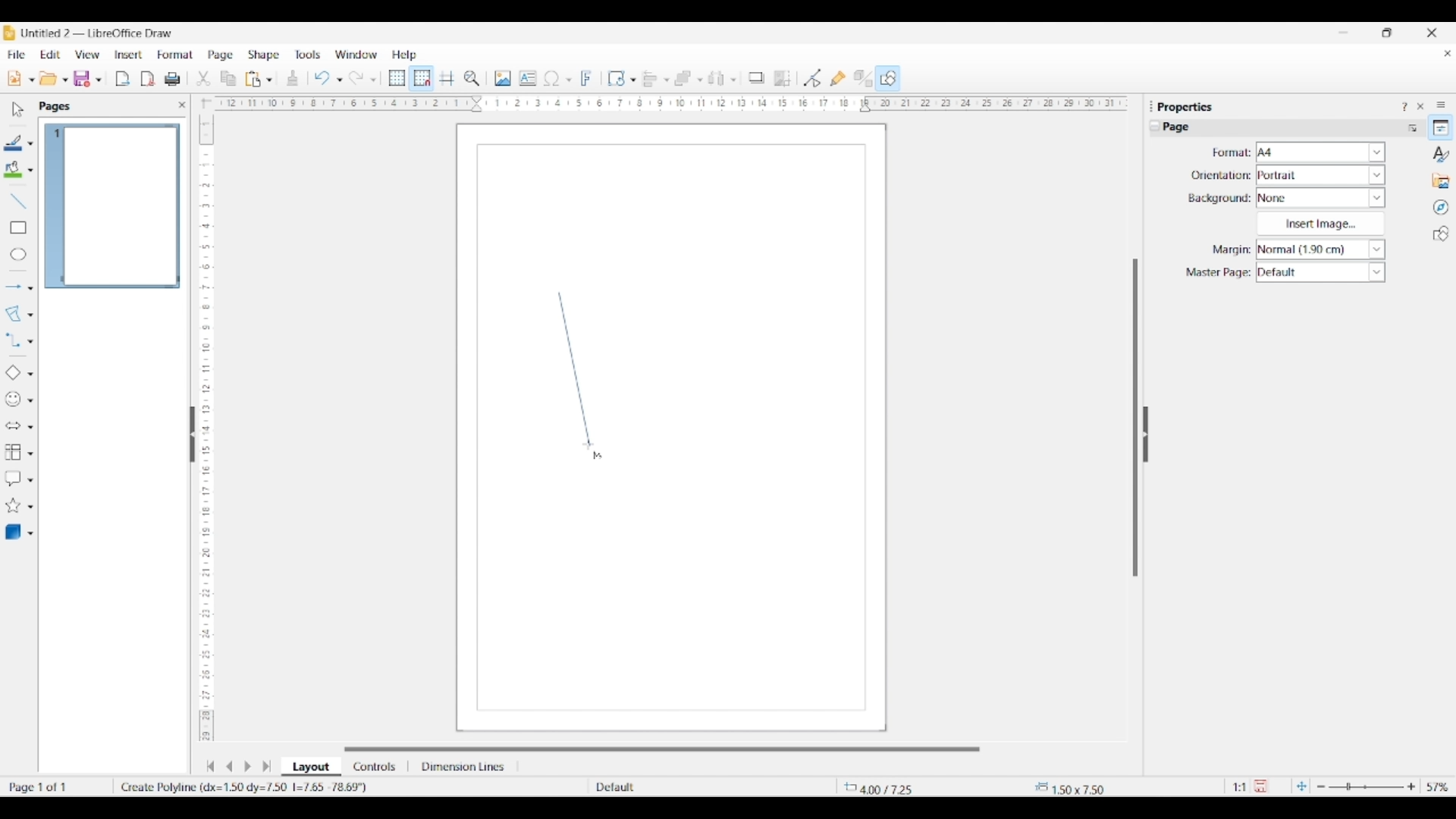 The image size is (1456, 819). I want to click on Dimension lines, so click(464, 767).